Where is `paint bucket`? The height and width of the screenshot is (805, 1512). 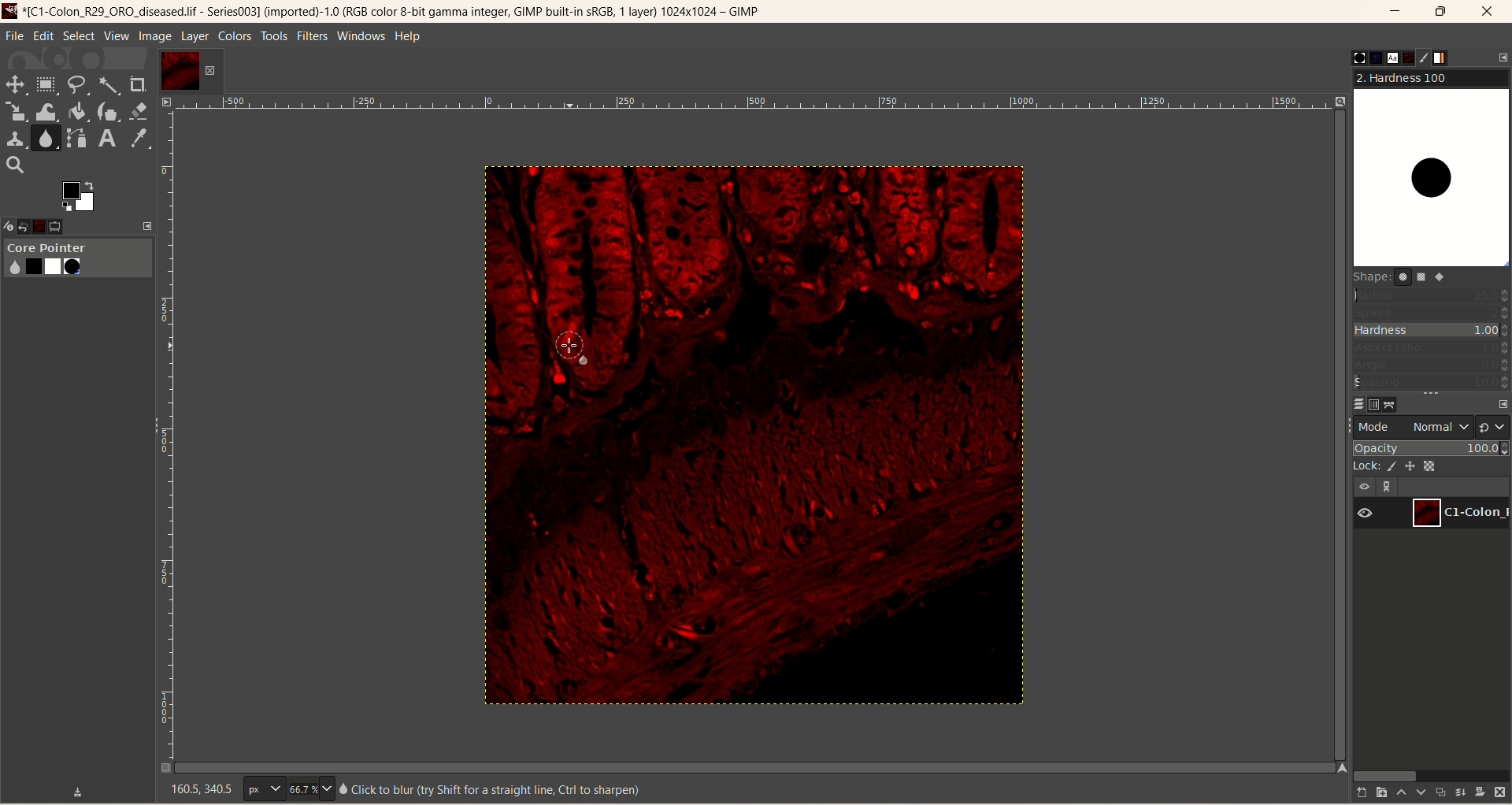
paint bucket is located at coordinates (79, 110).